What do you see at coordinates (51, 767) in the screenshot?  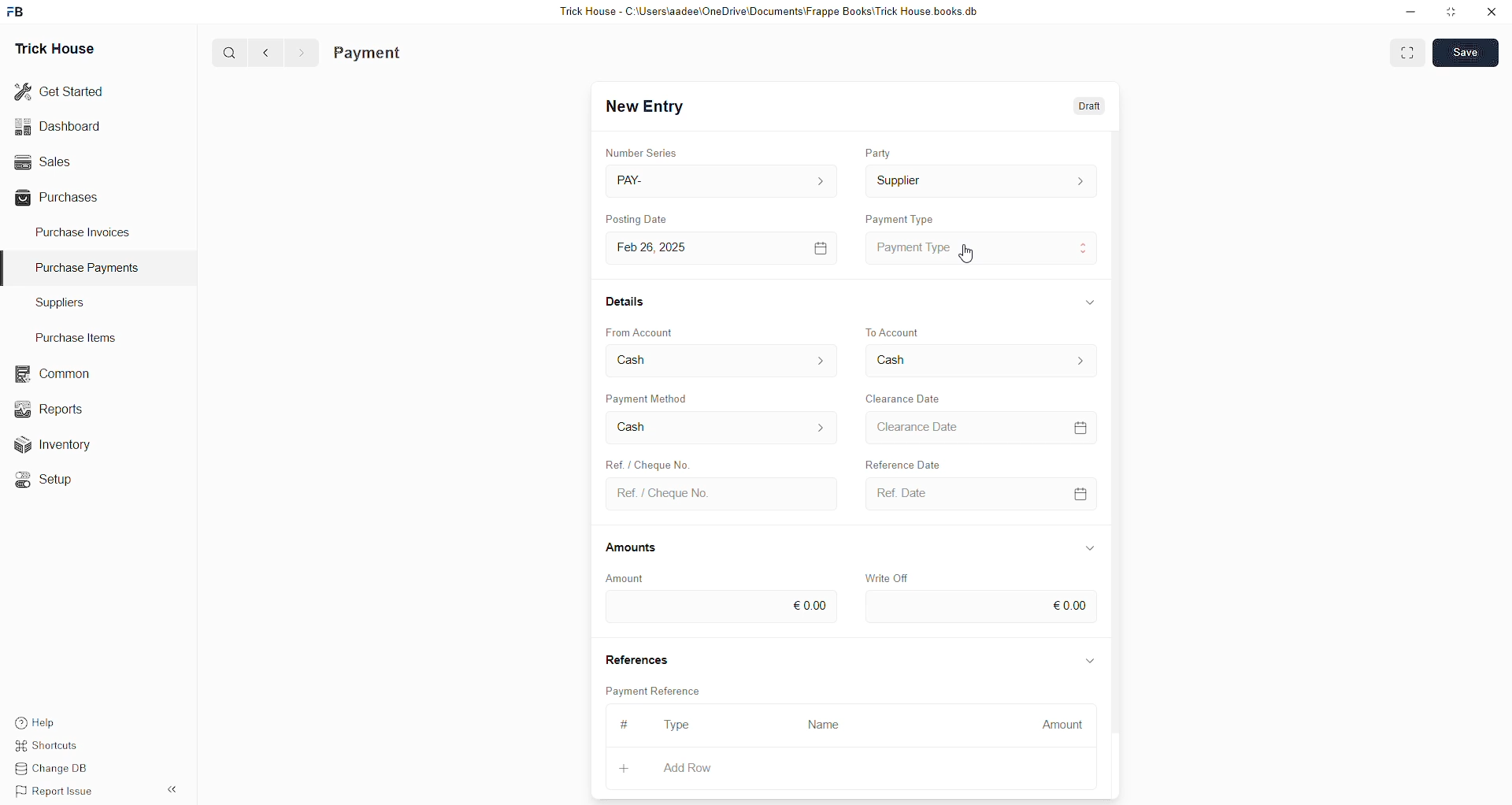 I see `Change DB` at bounding box center [51, 767].